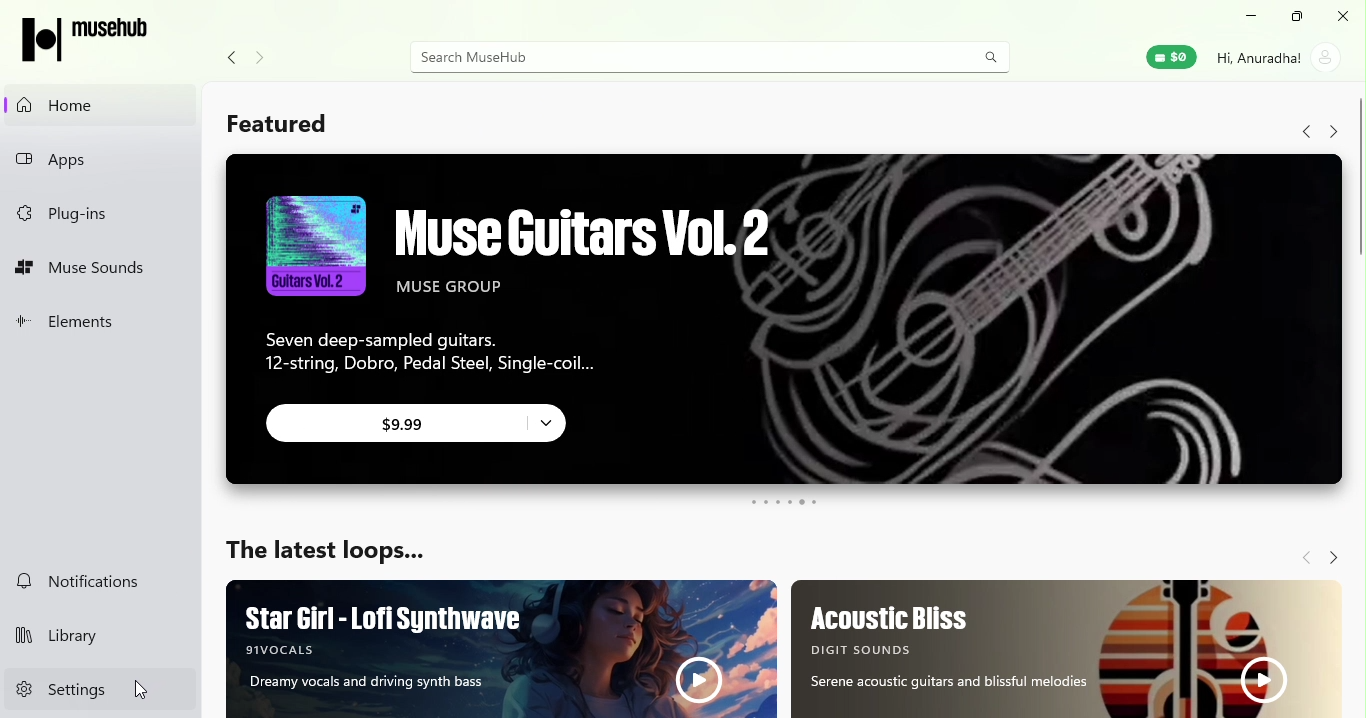 The height and width of the screenshot is (718, 1366). I want to click on Close, so click(1342, 15).